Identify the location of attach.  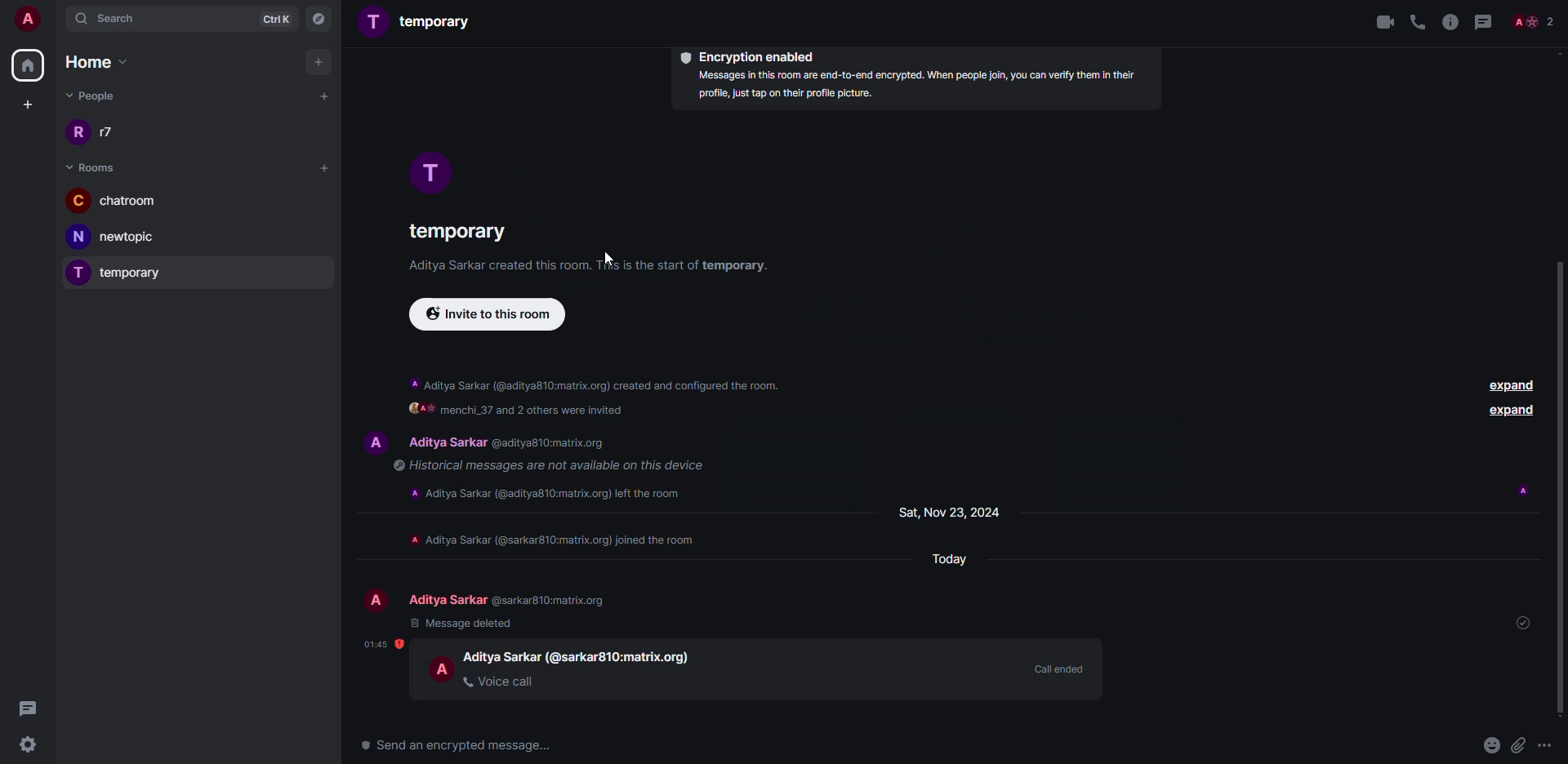
(1519, 743).